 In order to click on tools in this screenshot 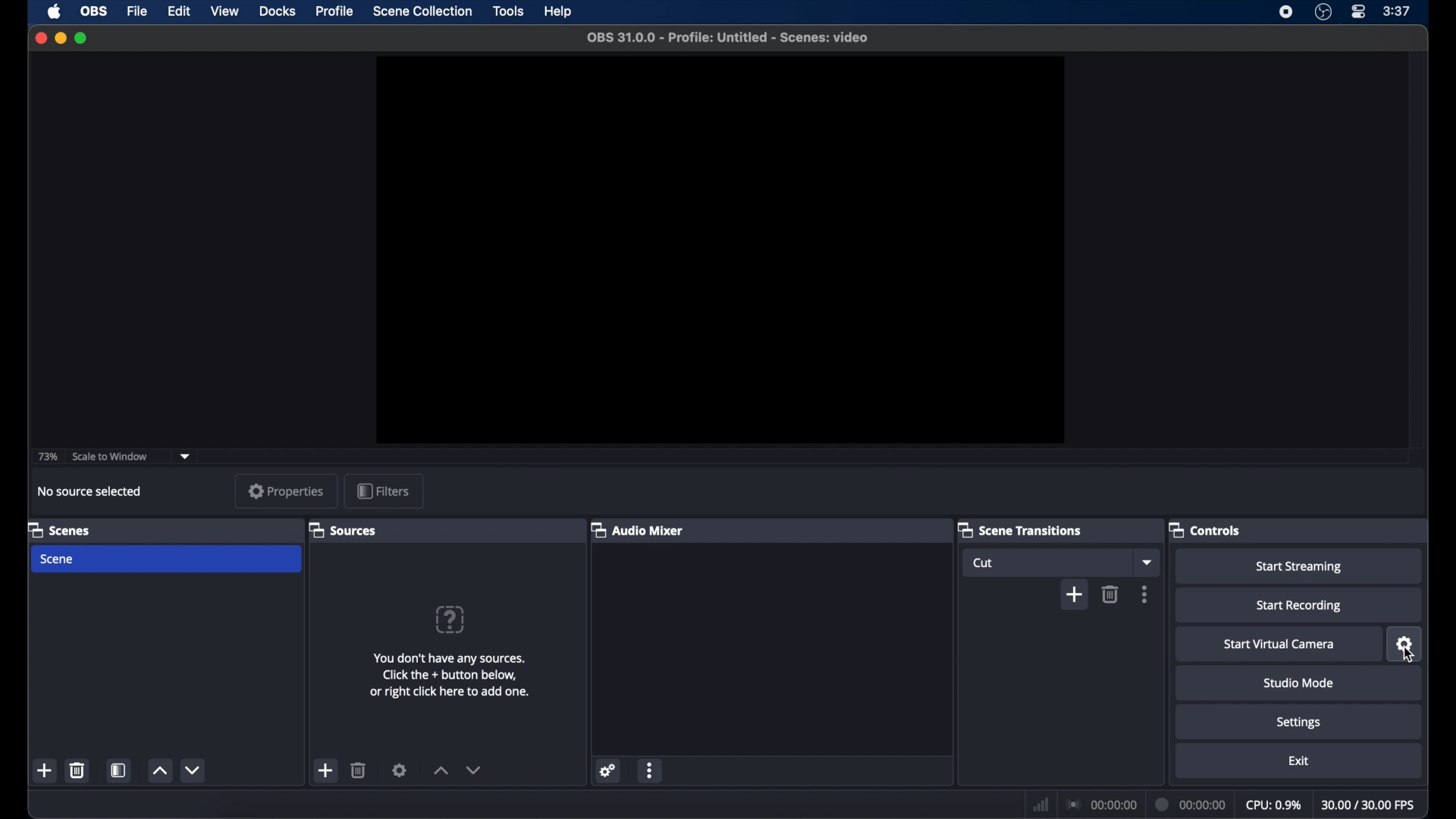, I will do `click(508, 11)`.